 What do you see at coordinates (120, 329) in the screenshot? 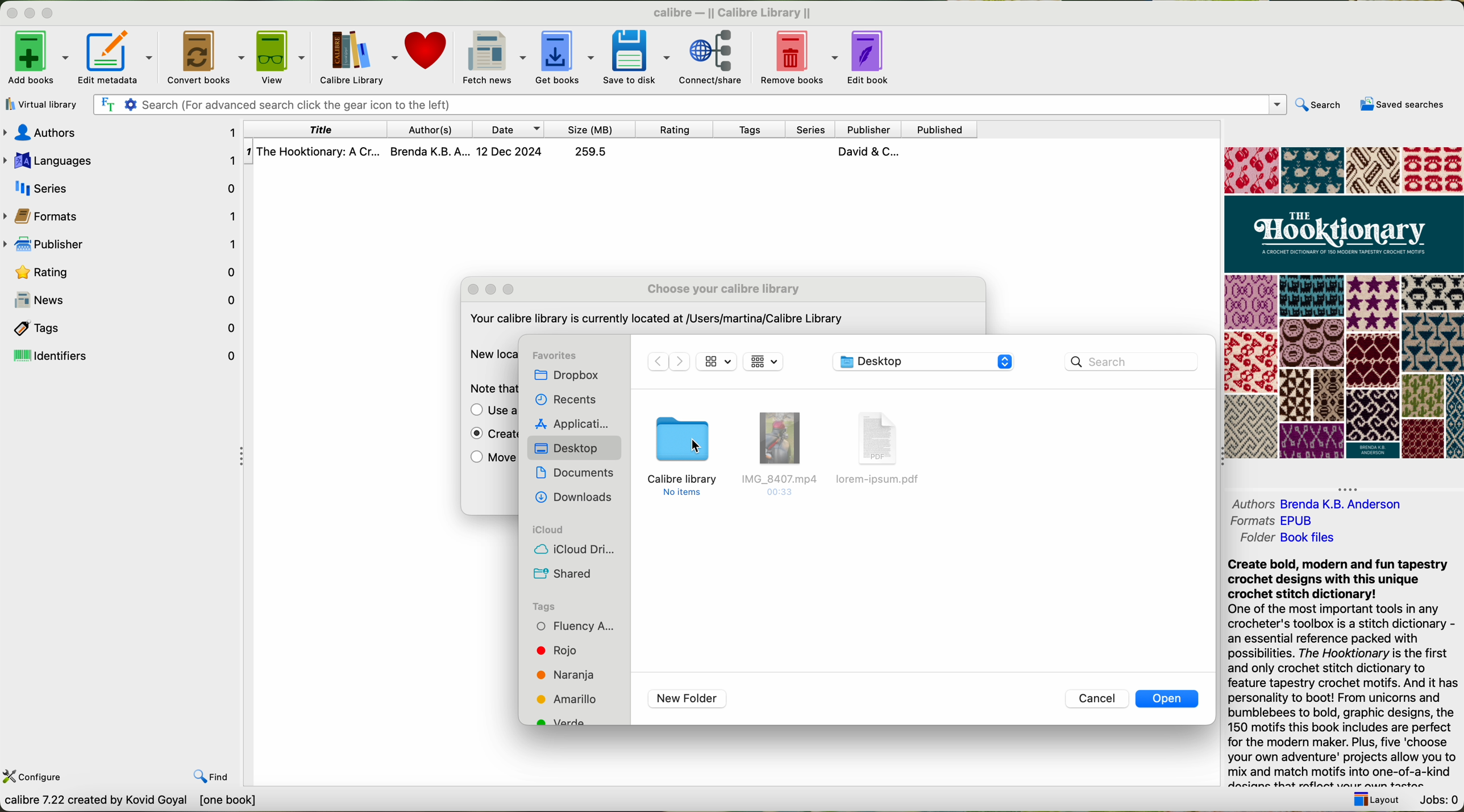
I see `tags` at bounding box center [120, 329].